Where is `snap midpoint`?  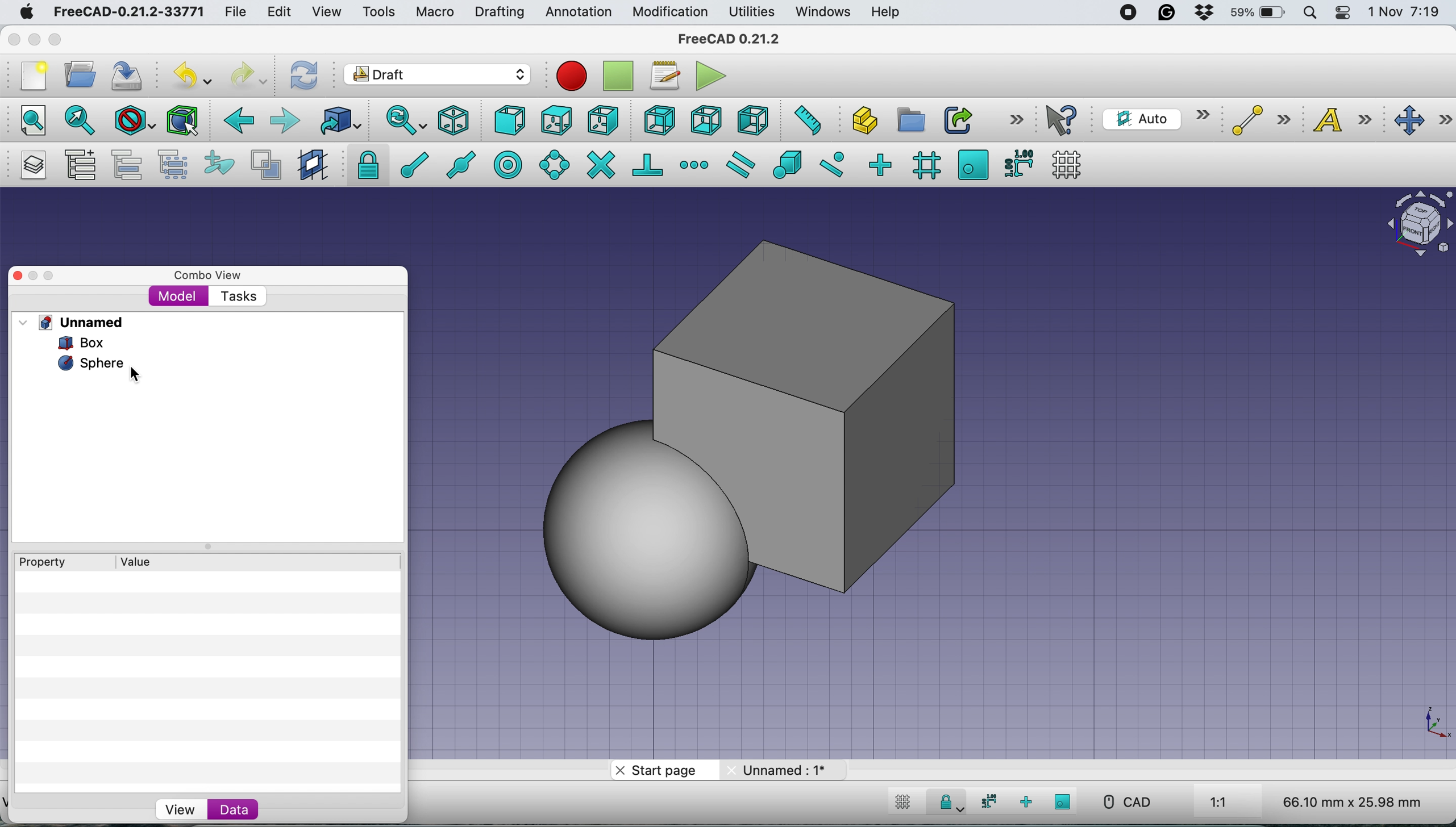 snap midpoint is located at coordinates (457, 164).